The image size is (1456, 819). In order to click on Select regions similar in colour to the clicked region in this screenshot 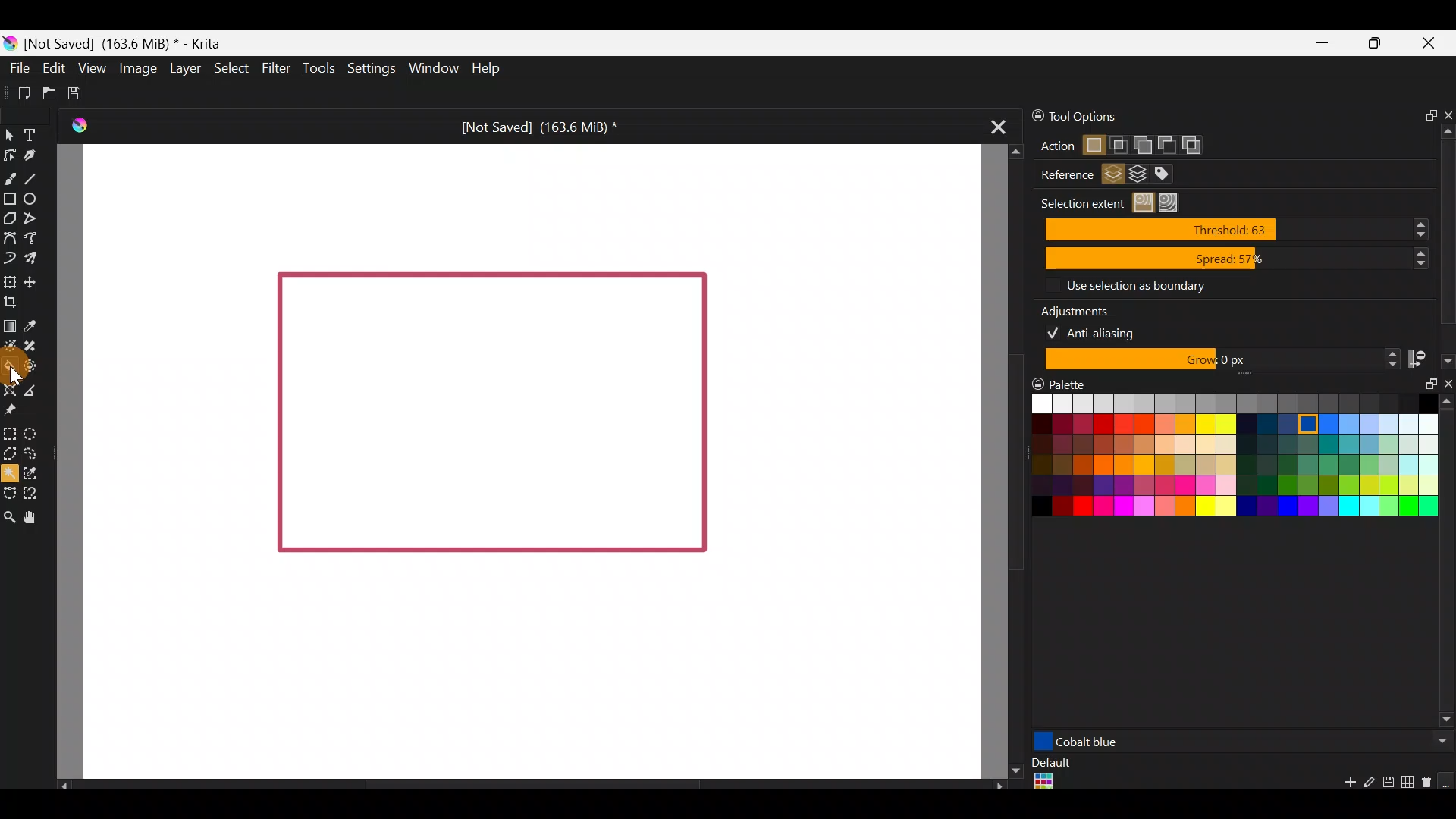, I will do `click(1146, 203)`.